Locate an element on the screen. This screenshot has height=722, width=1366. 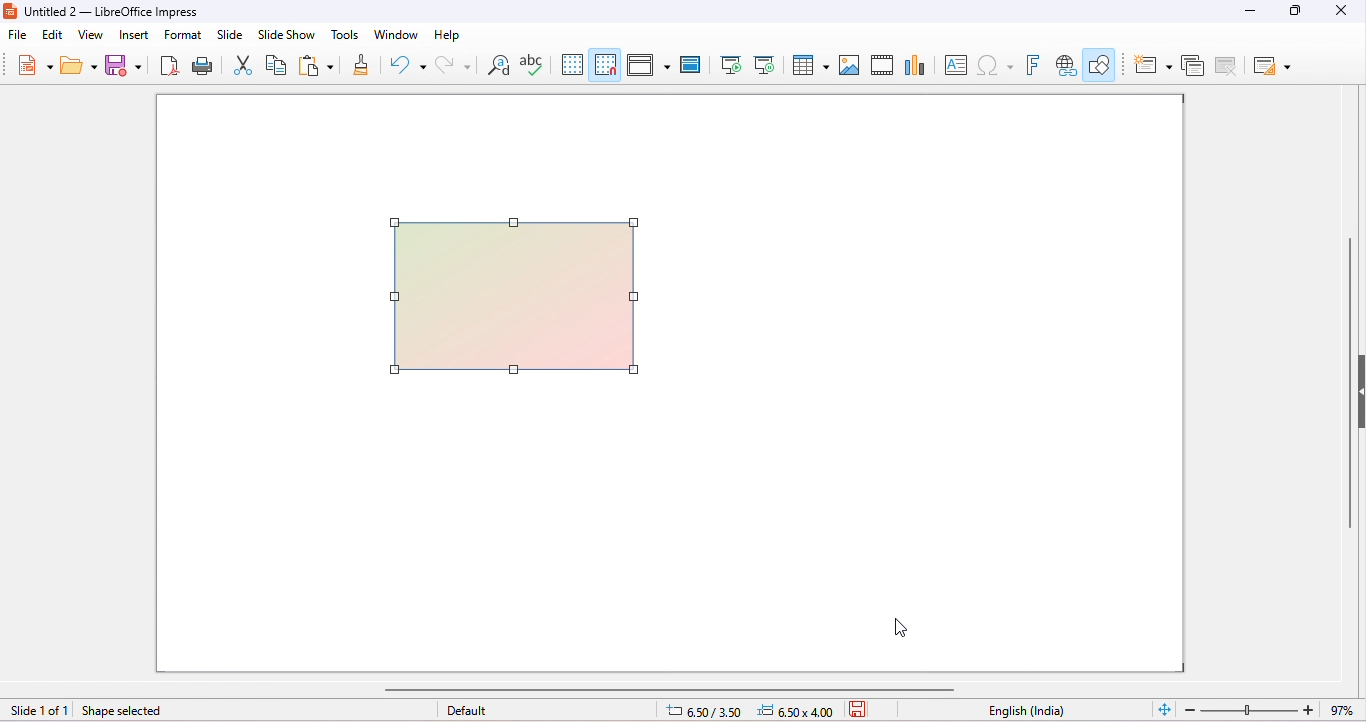
copy is located at coordinates (276, 64).